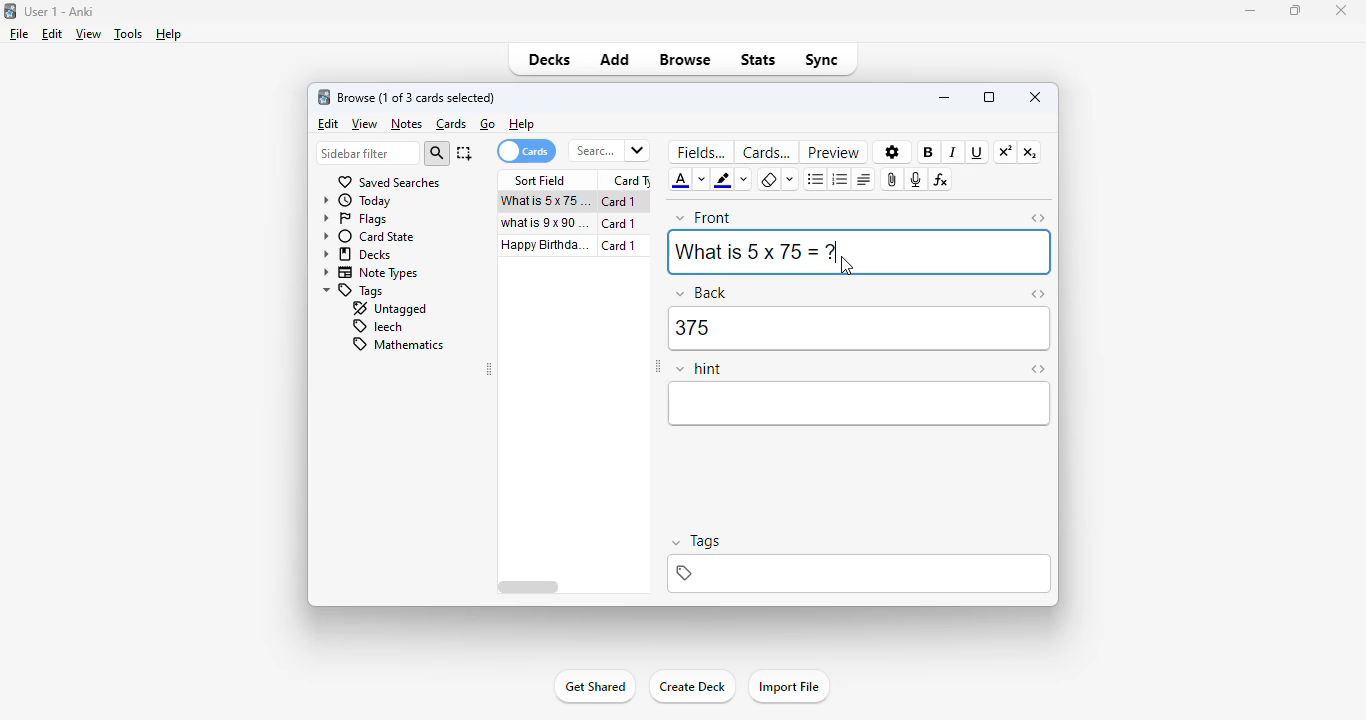 Image resolution: width=1366 pixels, height=720 pixels. I want to click on minimize, so click(1250, 11).